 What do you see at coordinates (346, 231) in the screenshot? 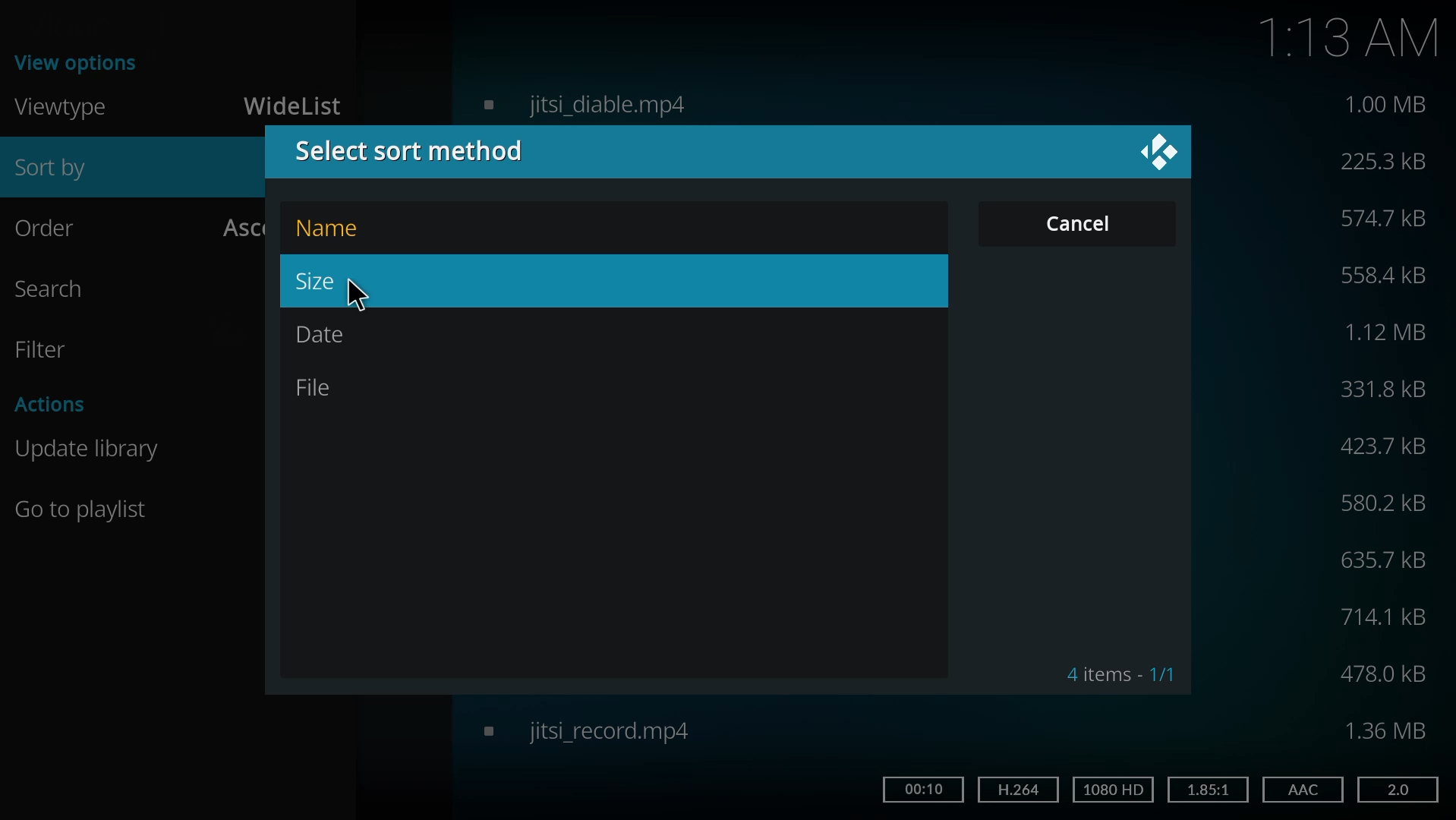
I see `name` at bounding box center [346, 231].